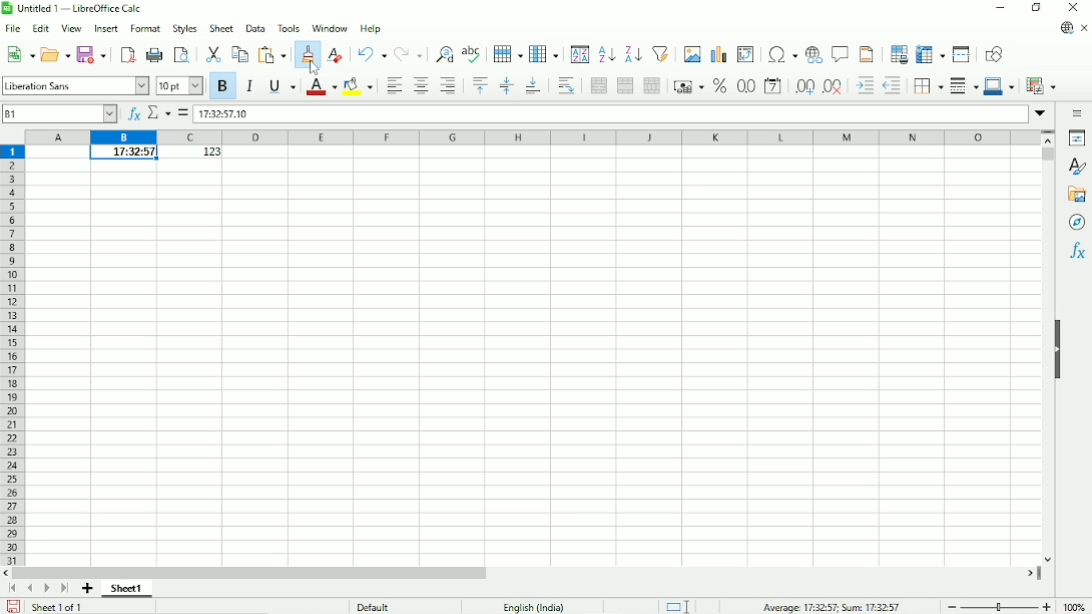 Image resolution: width=1092 pixels, height=614 pixels. What do you see at coordinates (930, 54) in the screenshot?
I see `Freeze rows and columns` at bounding box center [930, 54].